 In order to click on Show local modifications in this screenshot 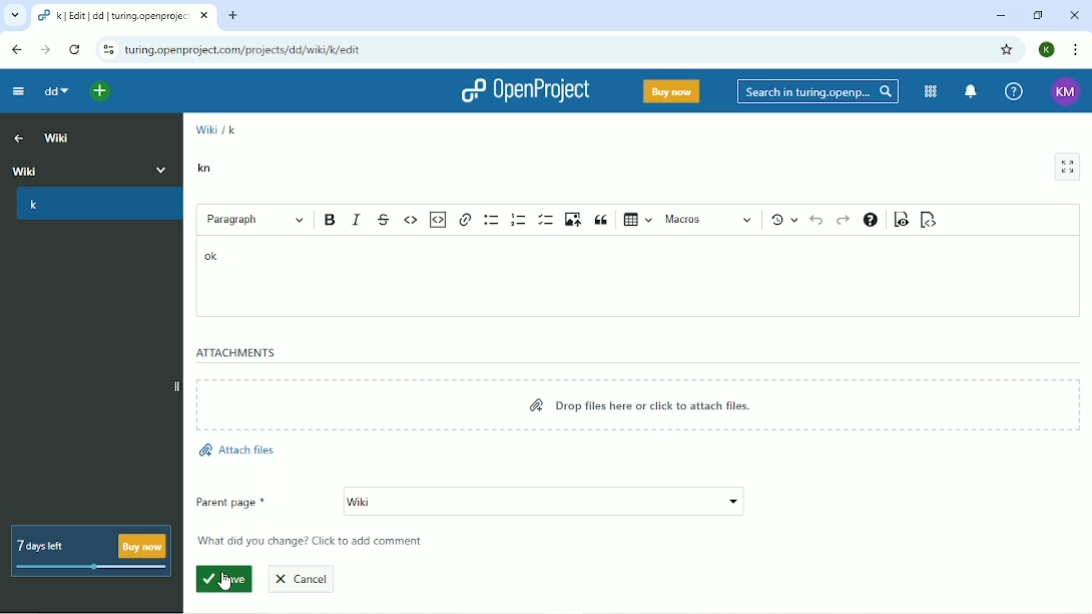, I will do `click(784, 220)`.